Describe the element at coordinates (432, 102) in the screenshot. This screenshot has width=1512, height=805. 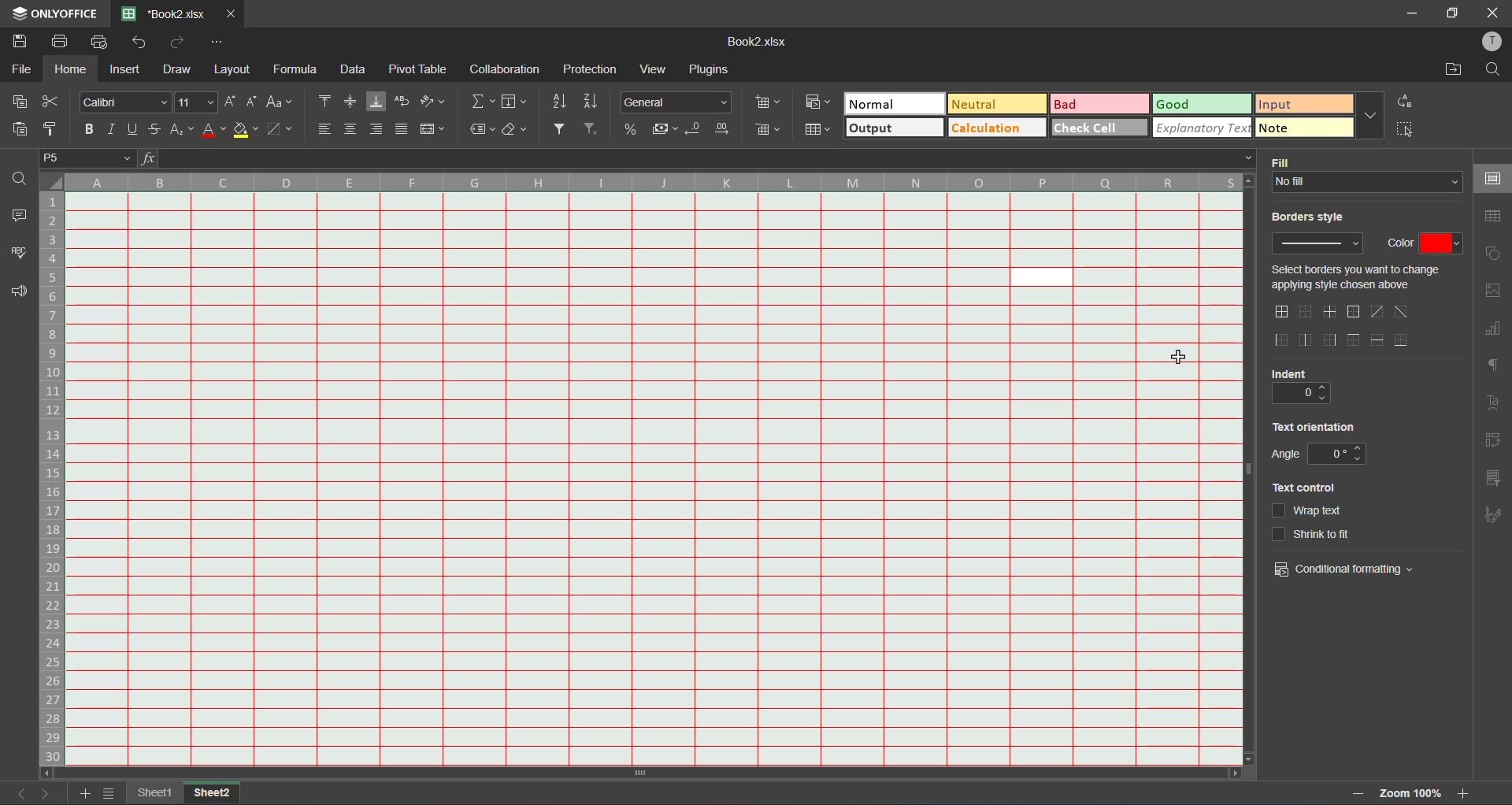
I see `orientation` at that location.